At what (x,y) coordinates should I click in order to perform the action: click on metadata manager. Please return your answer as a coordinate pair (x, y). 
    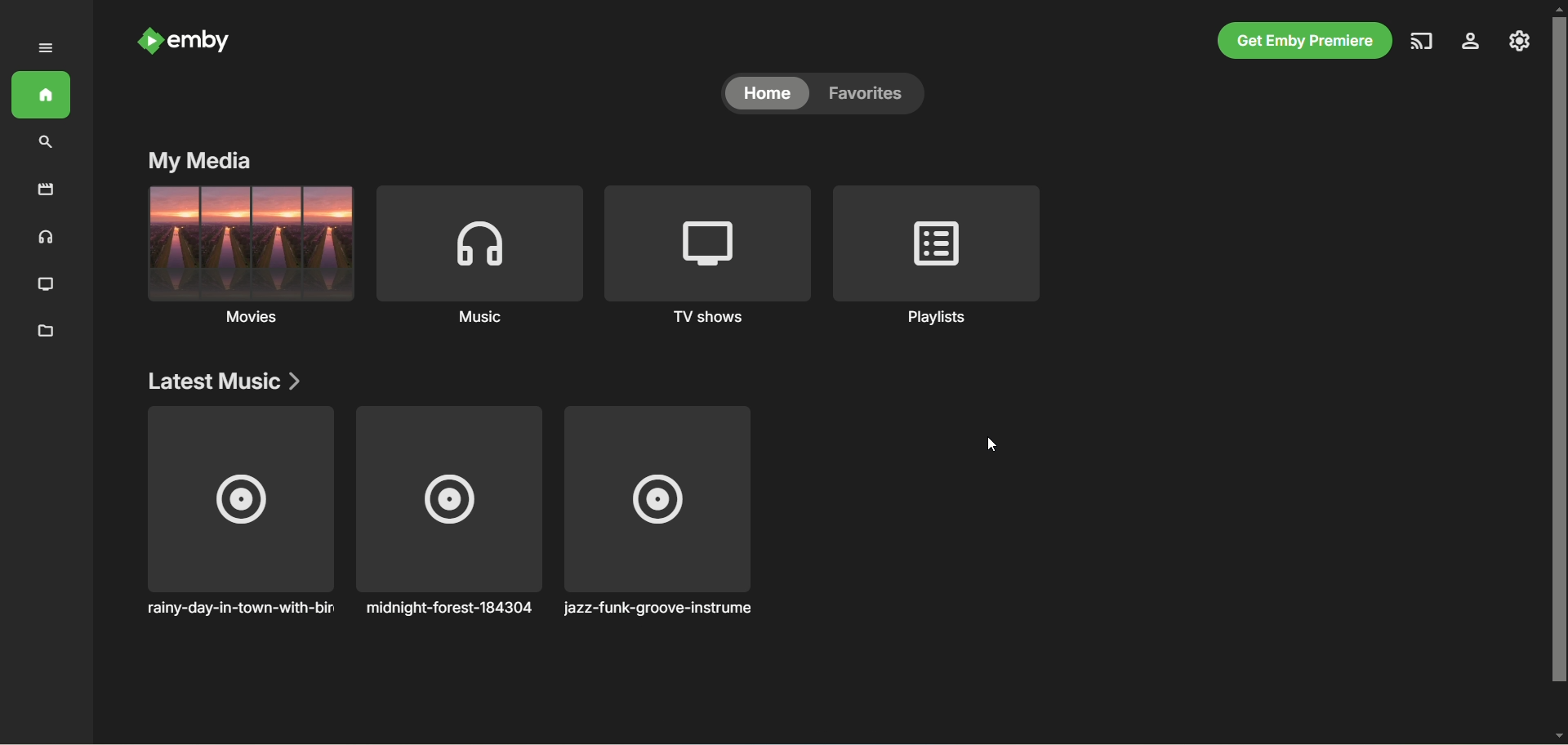
    Looking at the image, I should click on (47, 333).